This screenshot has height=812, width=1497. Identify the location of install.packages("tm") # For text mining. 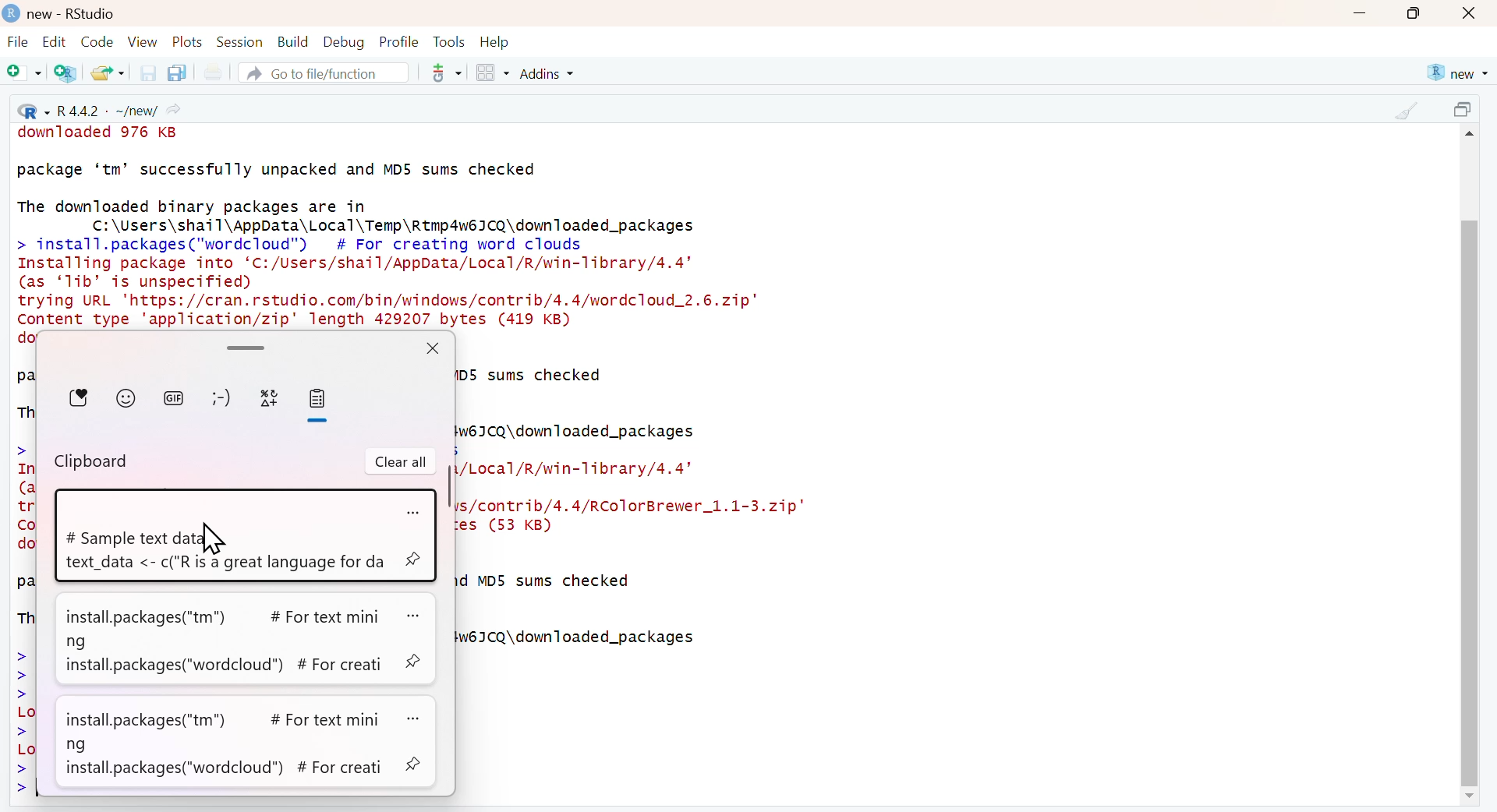
(223, 629).